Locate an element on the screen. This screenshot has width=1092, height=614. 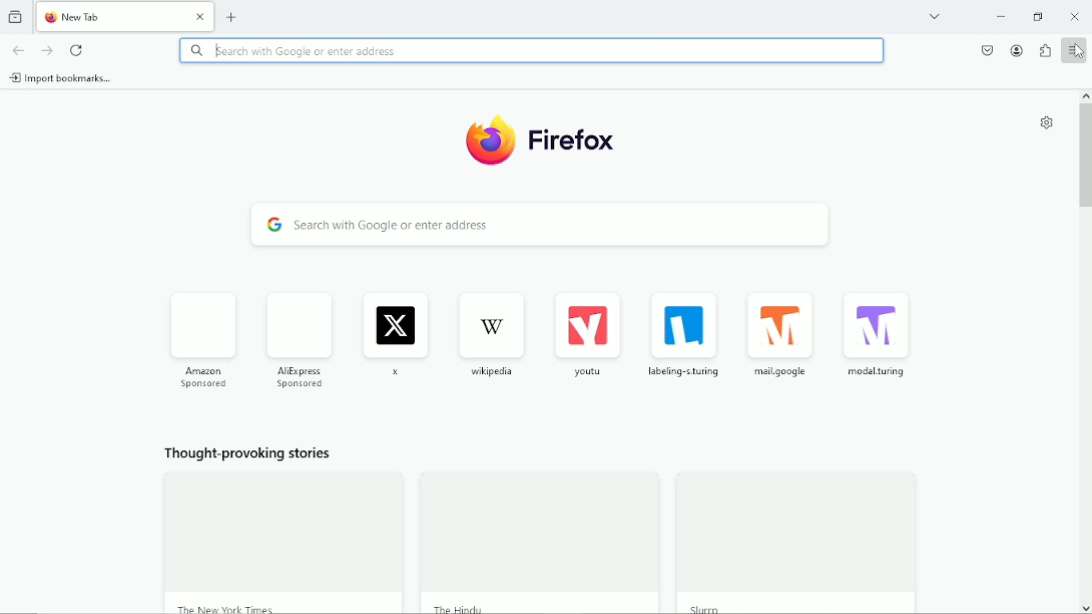
Amazon is located at coordinates (203, 339).